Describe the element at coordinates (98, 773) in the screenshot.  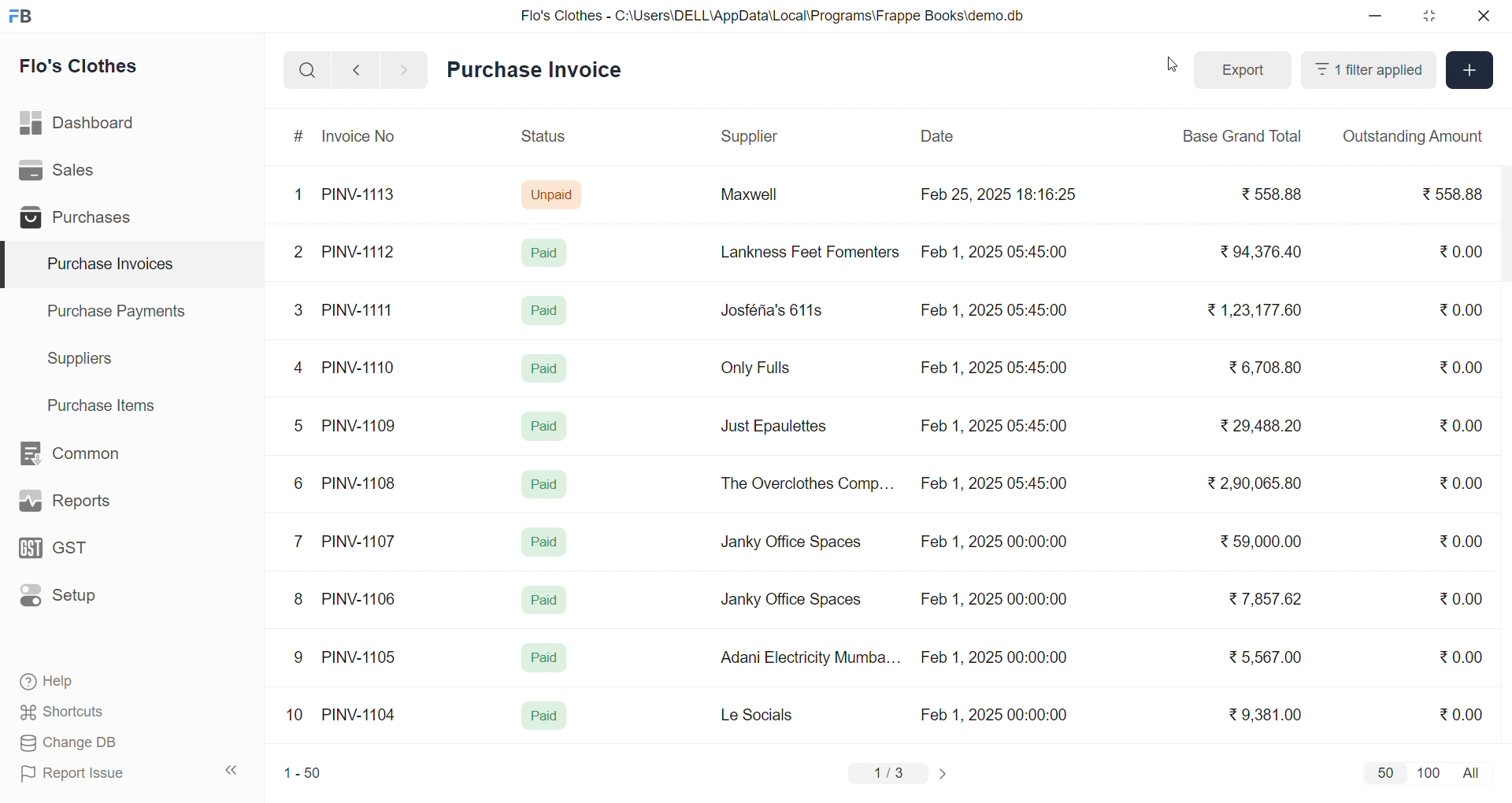
I see `Report Issue` at that location.